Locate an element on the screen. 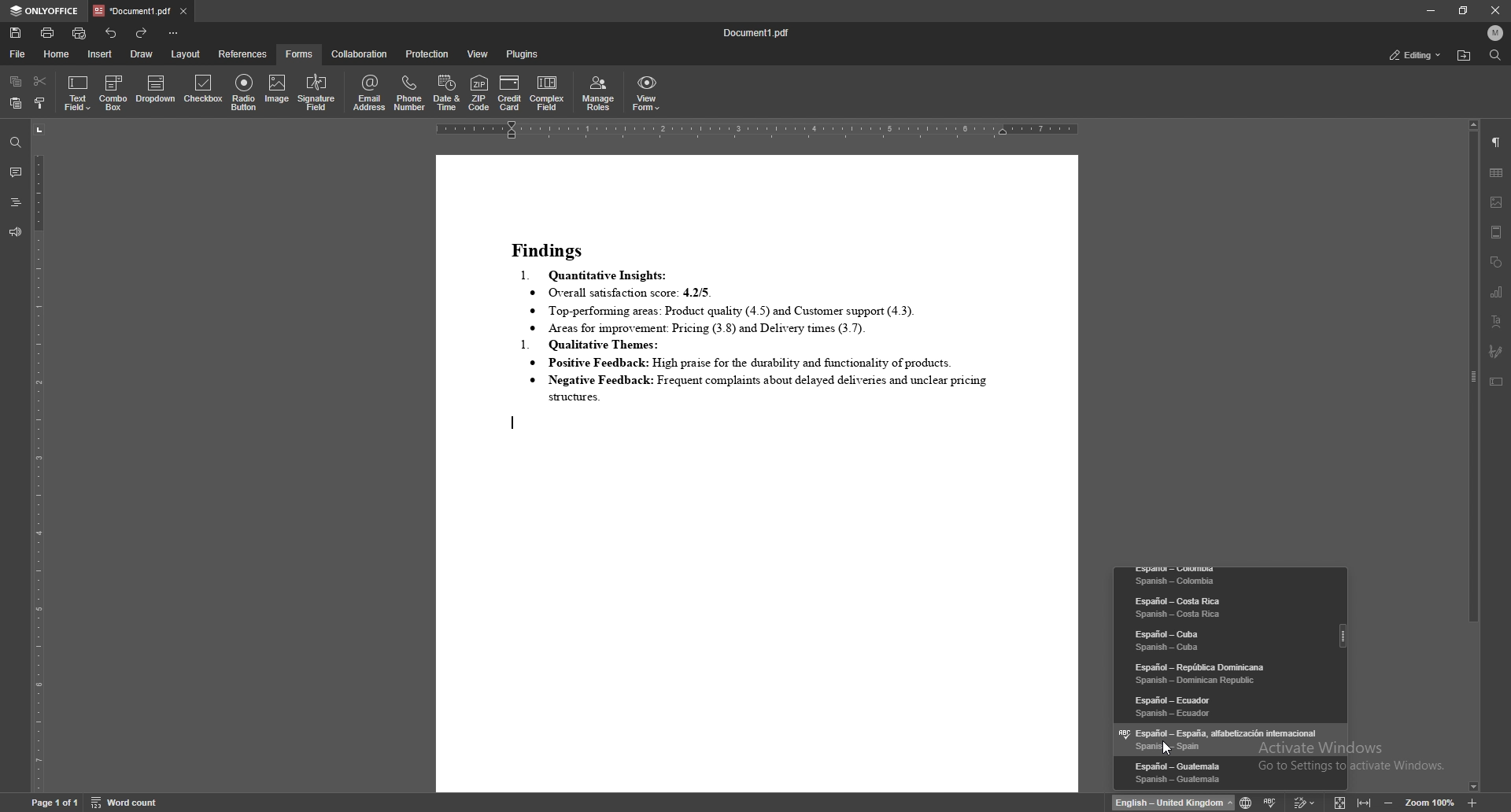  forms is located at coordinates (300, 54).